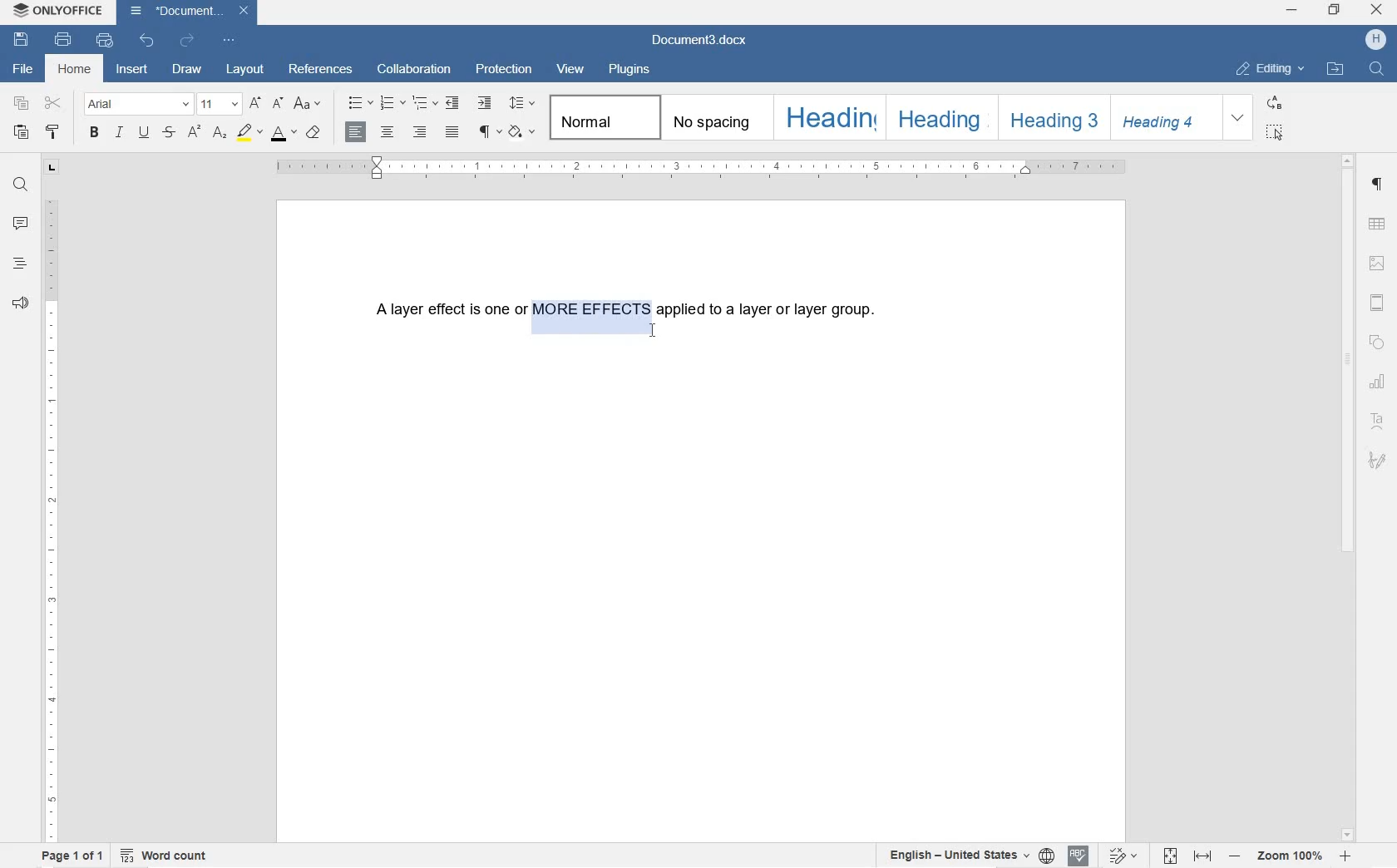 This screenshot has width=1397, height=868. What do you see at coordinates (1378, 343) in the screenshot?
I see `SHAPE` at bounding box center [1378, 343].